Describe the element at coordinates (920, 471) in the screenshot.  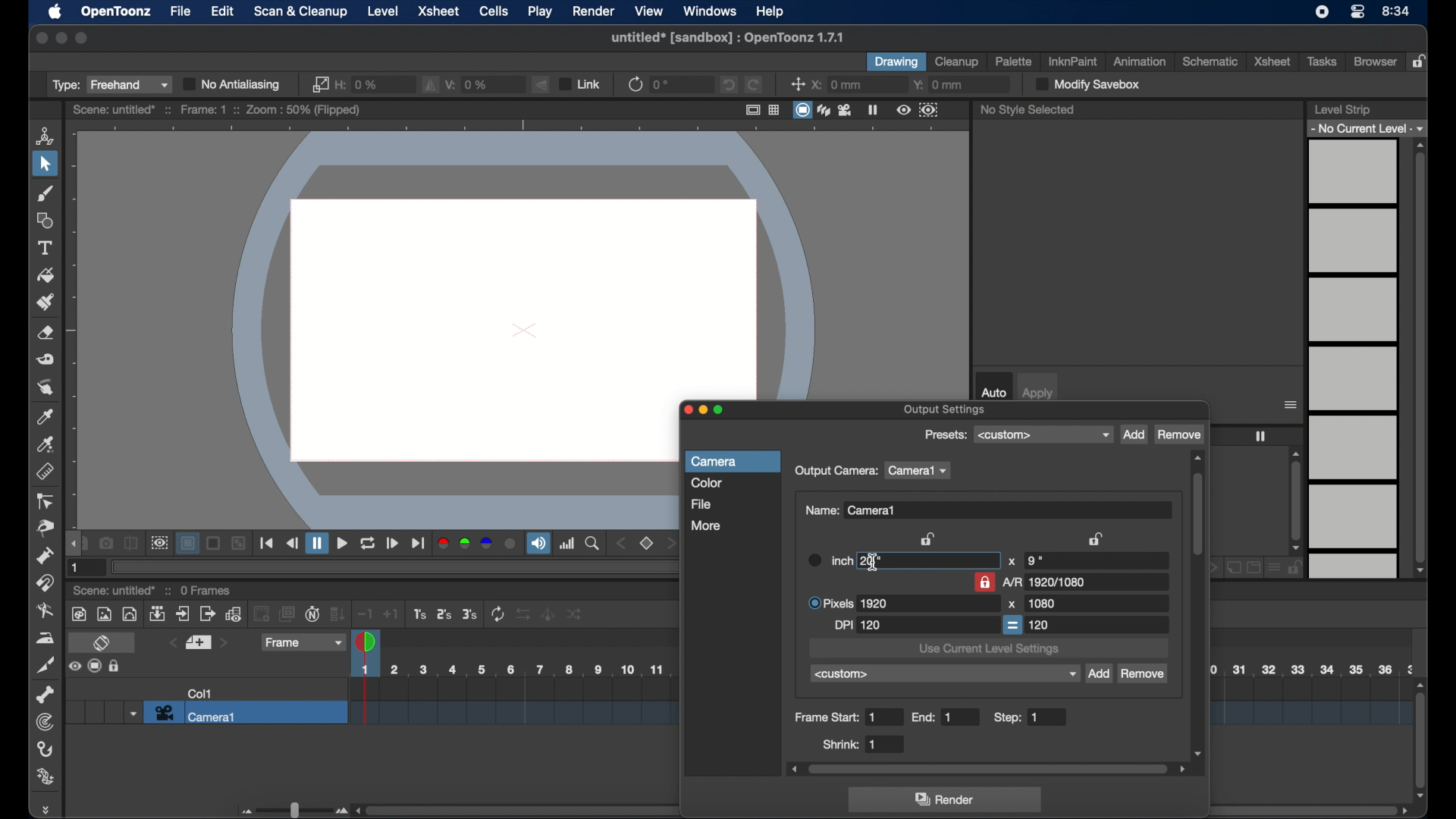
I see `camera1` at that location.